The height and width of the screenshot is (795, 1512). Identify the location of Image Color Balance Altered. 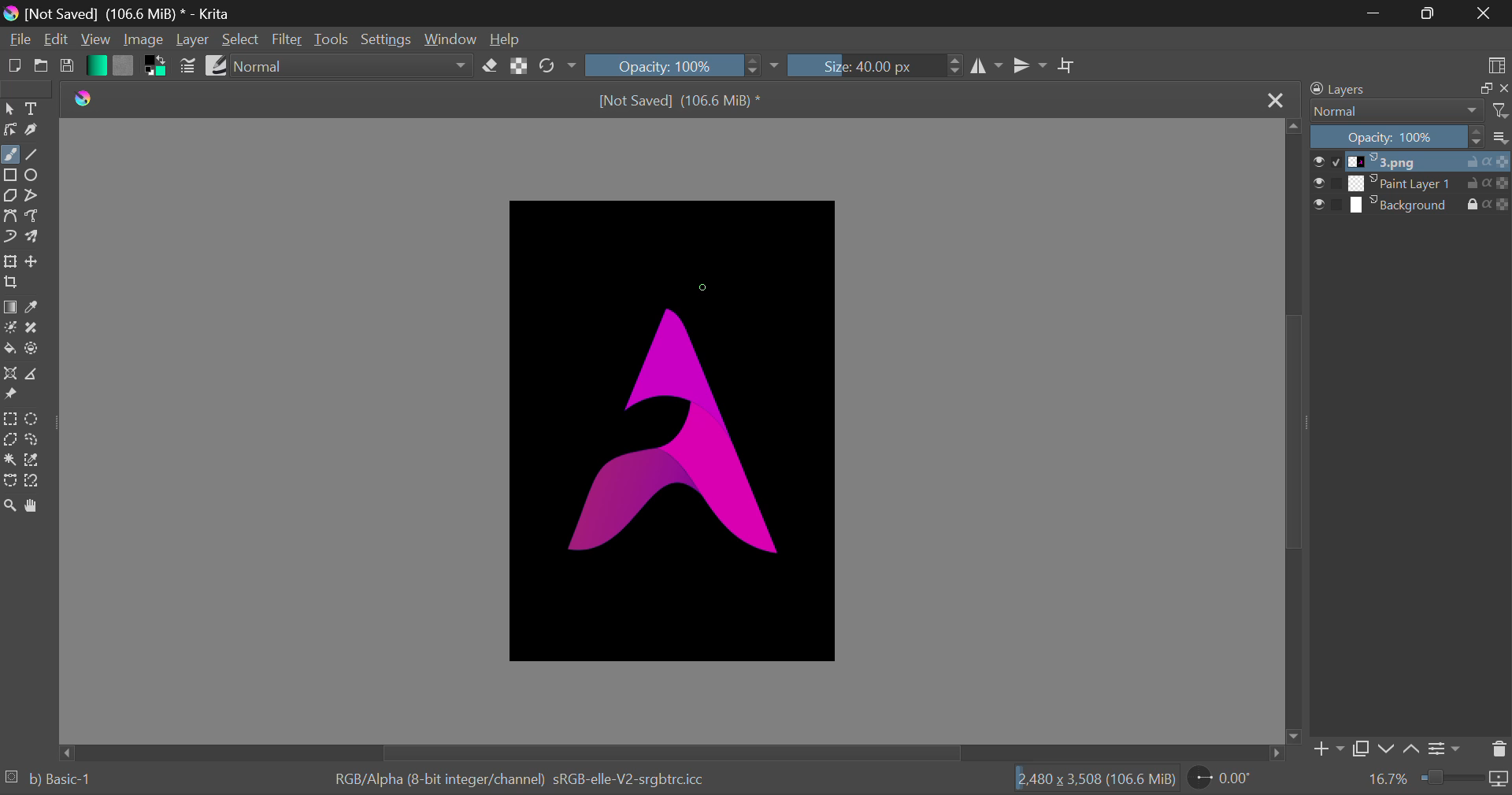
(671, 434).